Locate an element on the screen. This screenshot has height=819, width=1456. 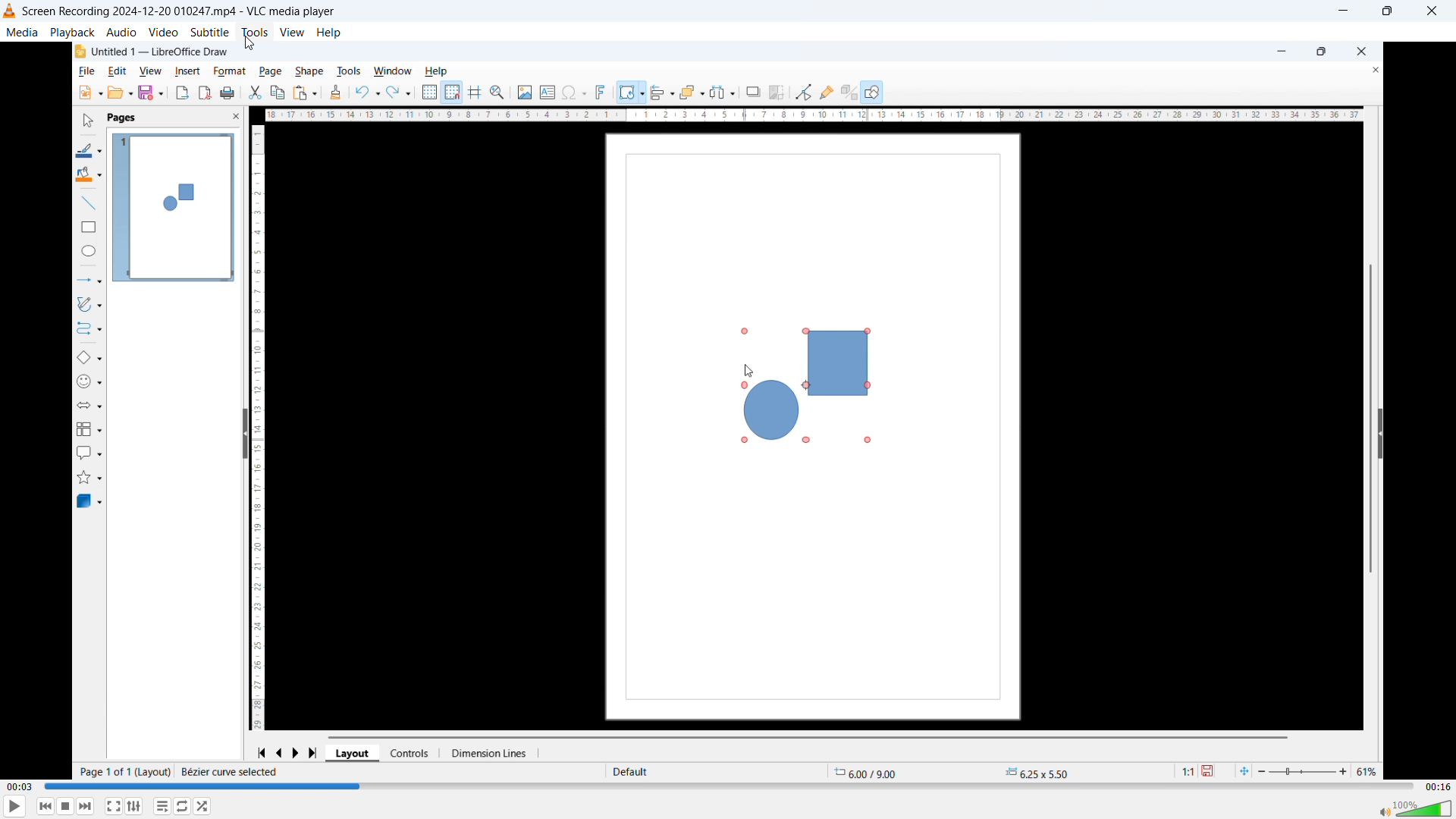
Time elapsed is located at coordinates (21, 787).